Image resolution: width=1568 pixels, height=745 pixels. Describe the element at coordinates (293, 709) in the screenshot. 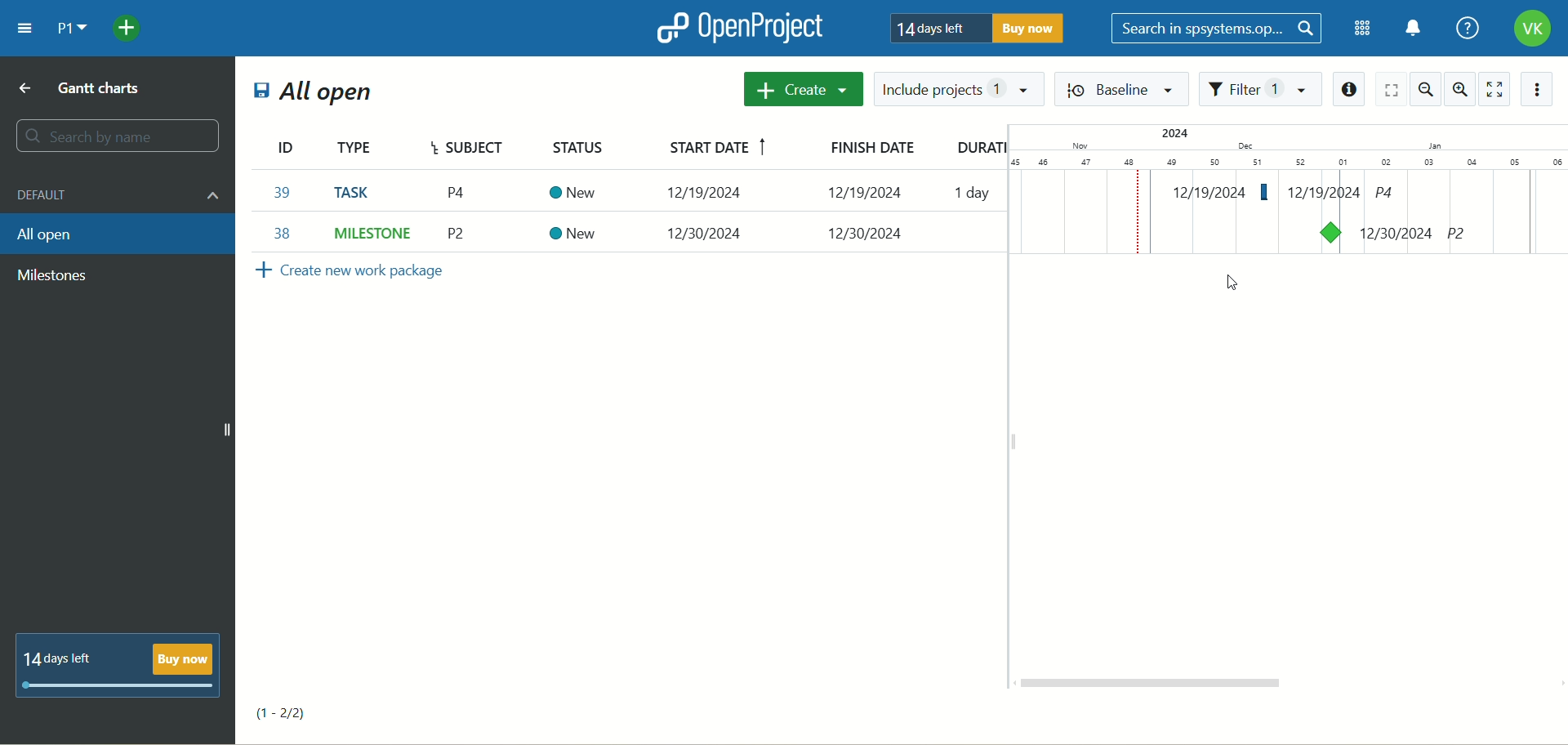

I see `(1-2/2)` at that location.